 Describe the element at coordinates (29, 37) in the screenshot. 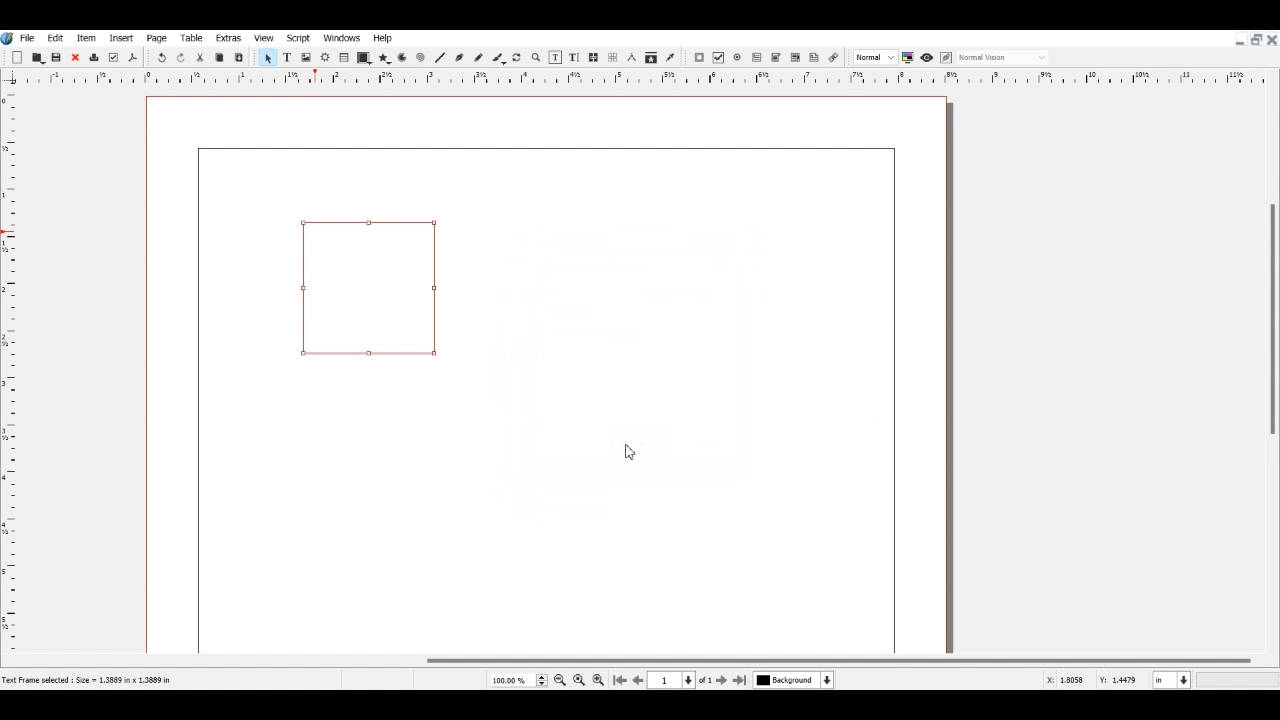

I see `File` at that location.